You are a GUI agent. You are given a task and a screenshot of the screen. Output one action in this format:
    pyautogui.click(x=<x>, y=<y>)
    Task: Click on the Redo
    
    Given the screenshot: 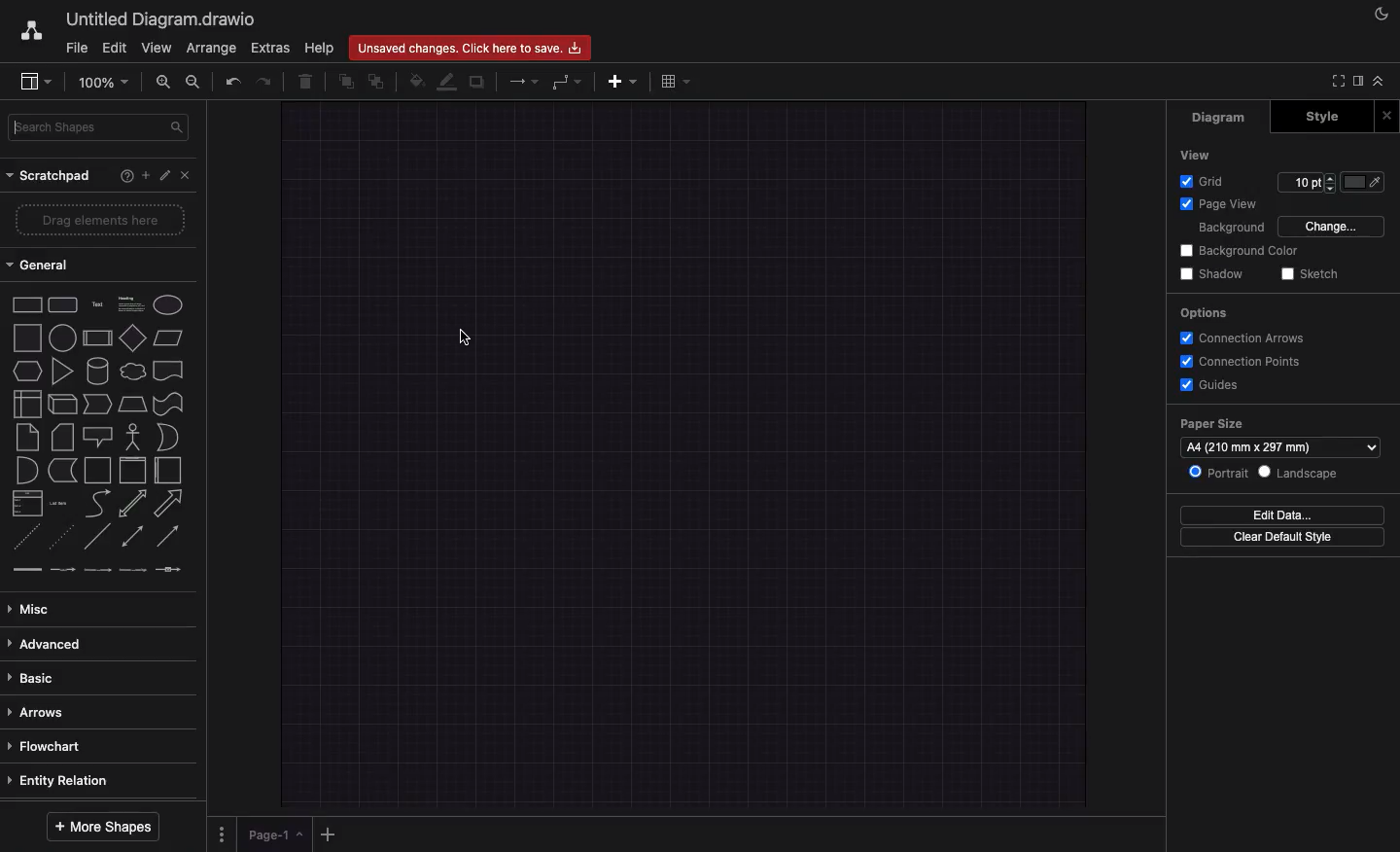 What is the action you would take?
    pyautogui.click(x=262, y=82)
    